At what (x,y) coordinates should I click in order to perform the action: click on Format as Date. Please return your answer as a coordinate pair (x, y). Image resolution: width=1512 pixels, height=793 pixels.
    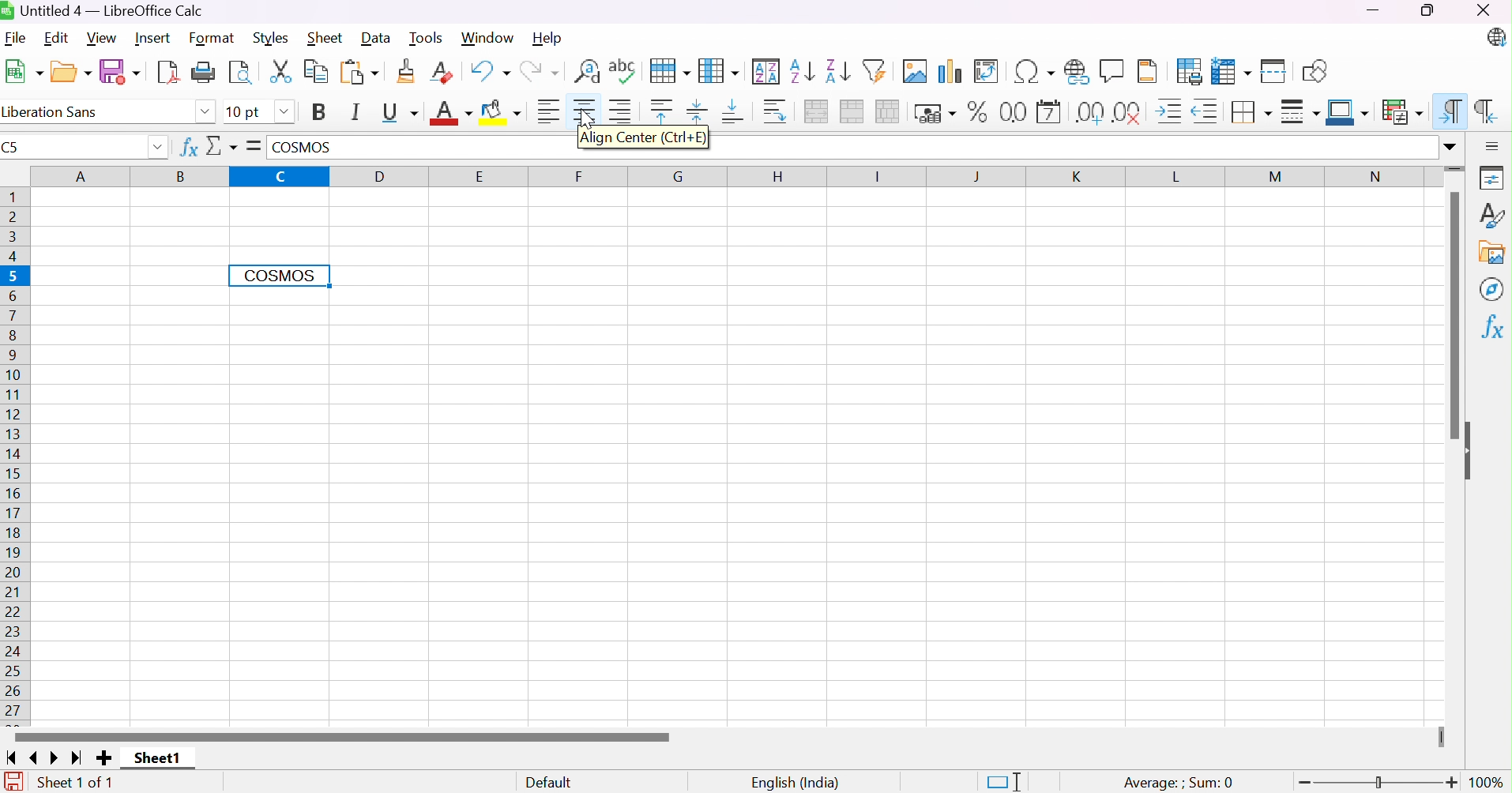
    Looking at the image, I should click on (1049, 111).